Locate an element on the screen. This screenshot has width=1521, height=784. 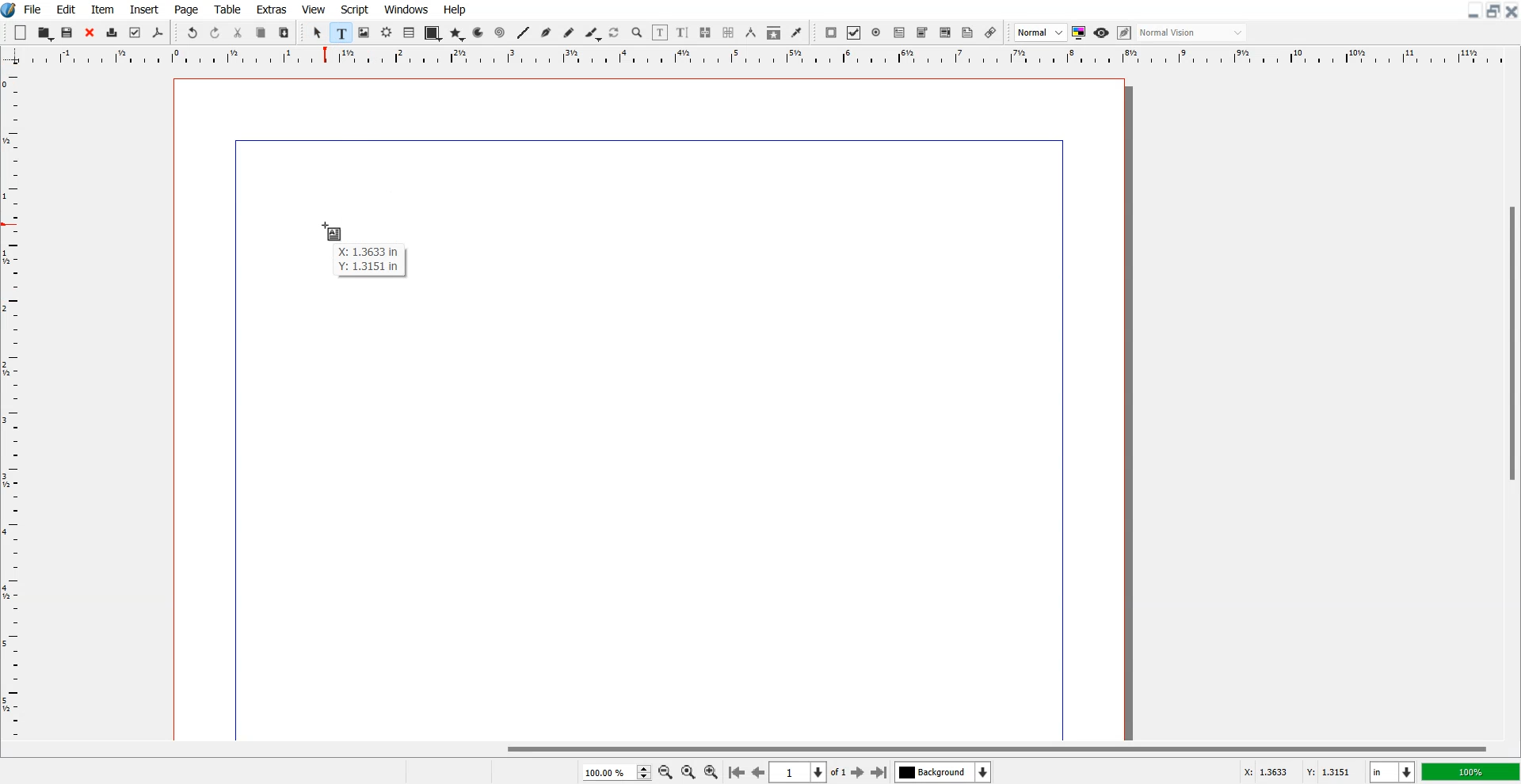
Maximize is located at coordinates (1494, 10).